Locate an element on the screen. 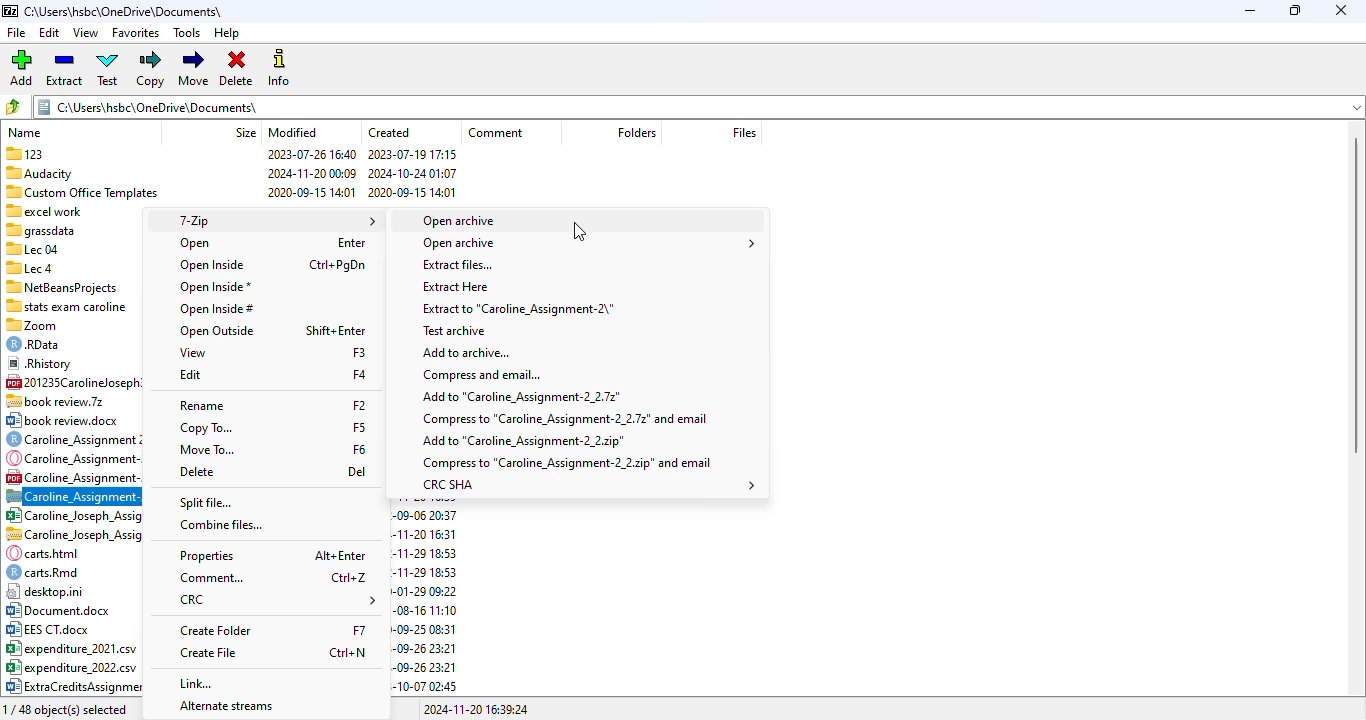 The height and width of the screenshot is (720, 1366). *™ NetBeansProiects 2024-11-12 19:16 2024-11-12 16:09 is located at coordinates (68, 286).